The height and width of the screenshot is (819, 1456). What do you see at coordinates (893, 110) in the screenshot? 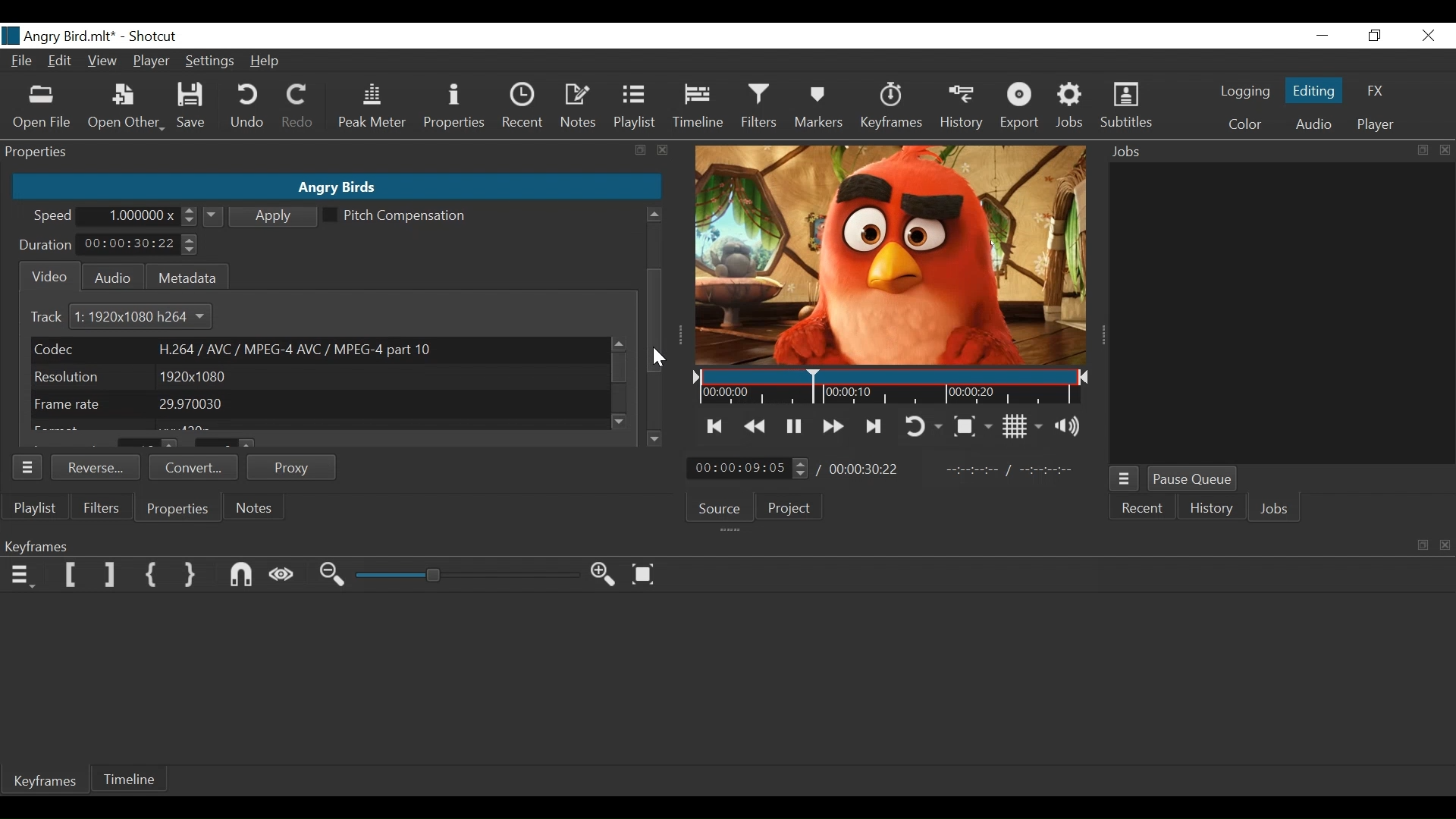
I see `Keyframe` at bounding box center [893, 110].